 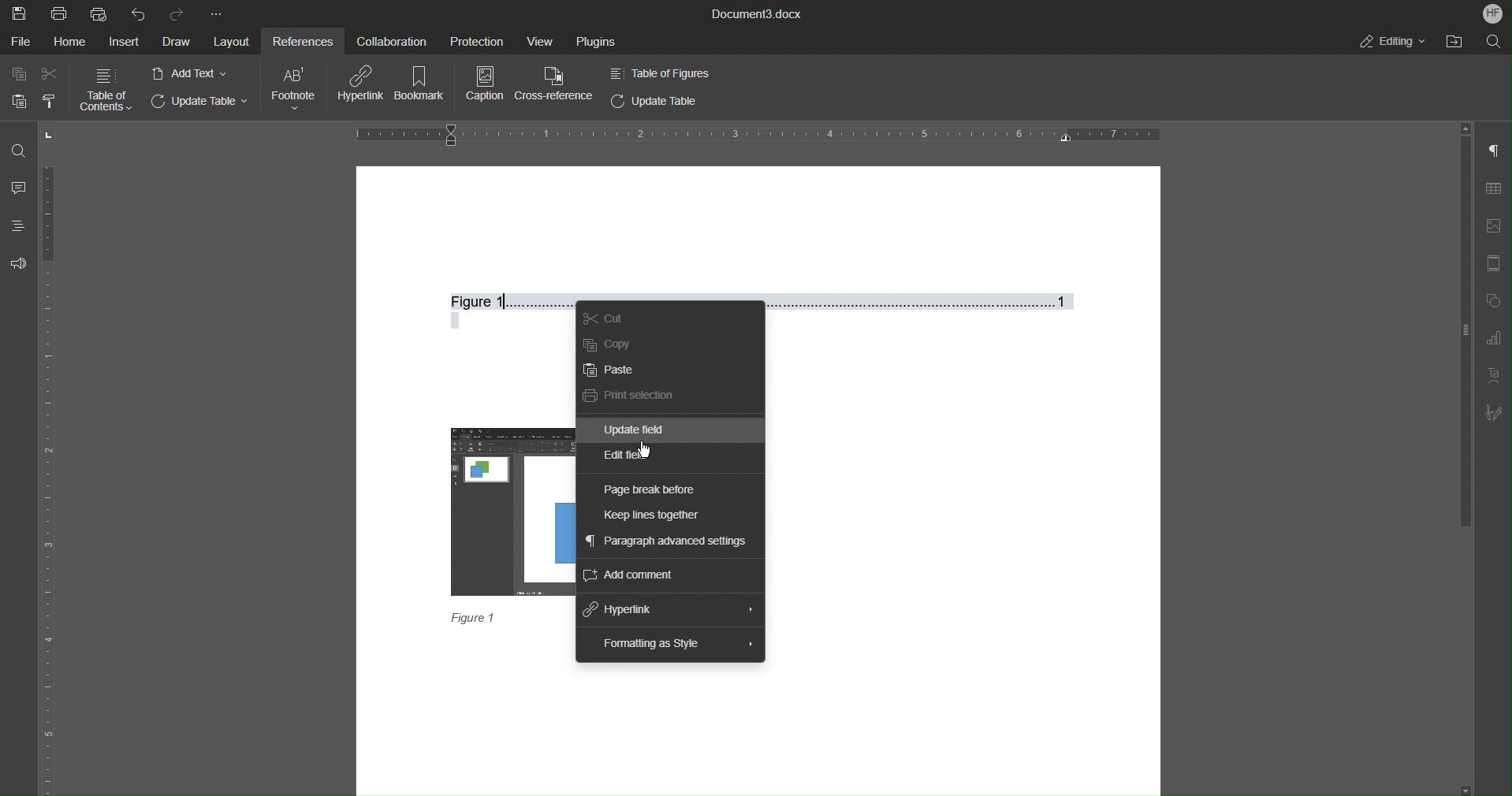 What do you see at coordinates (1492, 13) in the screenshot?
I see `Account` at bounding box center [1492, 13].